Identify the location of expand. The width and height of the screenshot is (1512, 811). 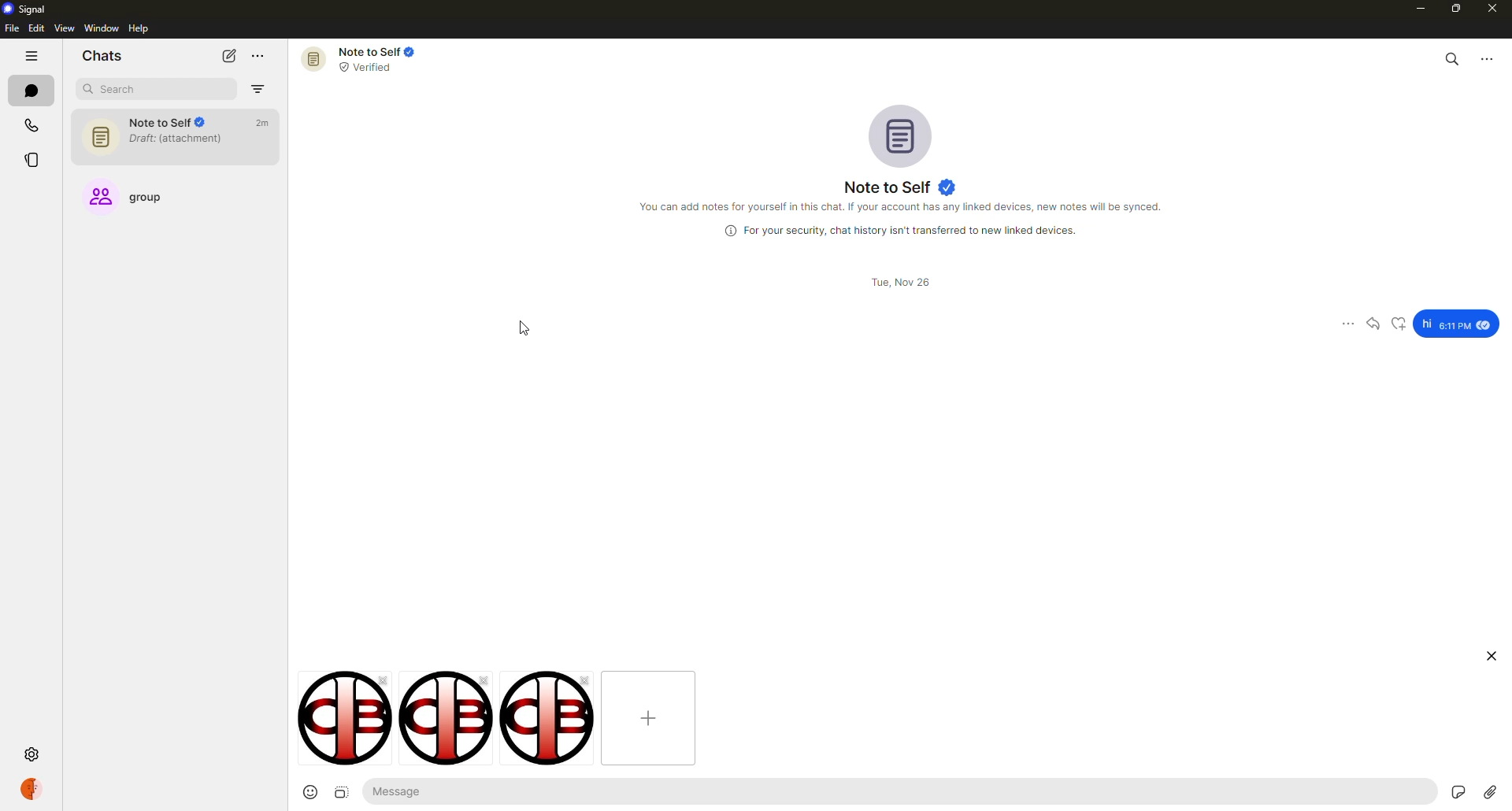
(901, 648).